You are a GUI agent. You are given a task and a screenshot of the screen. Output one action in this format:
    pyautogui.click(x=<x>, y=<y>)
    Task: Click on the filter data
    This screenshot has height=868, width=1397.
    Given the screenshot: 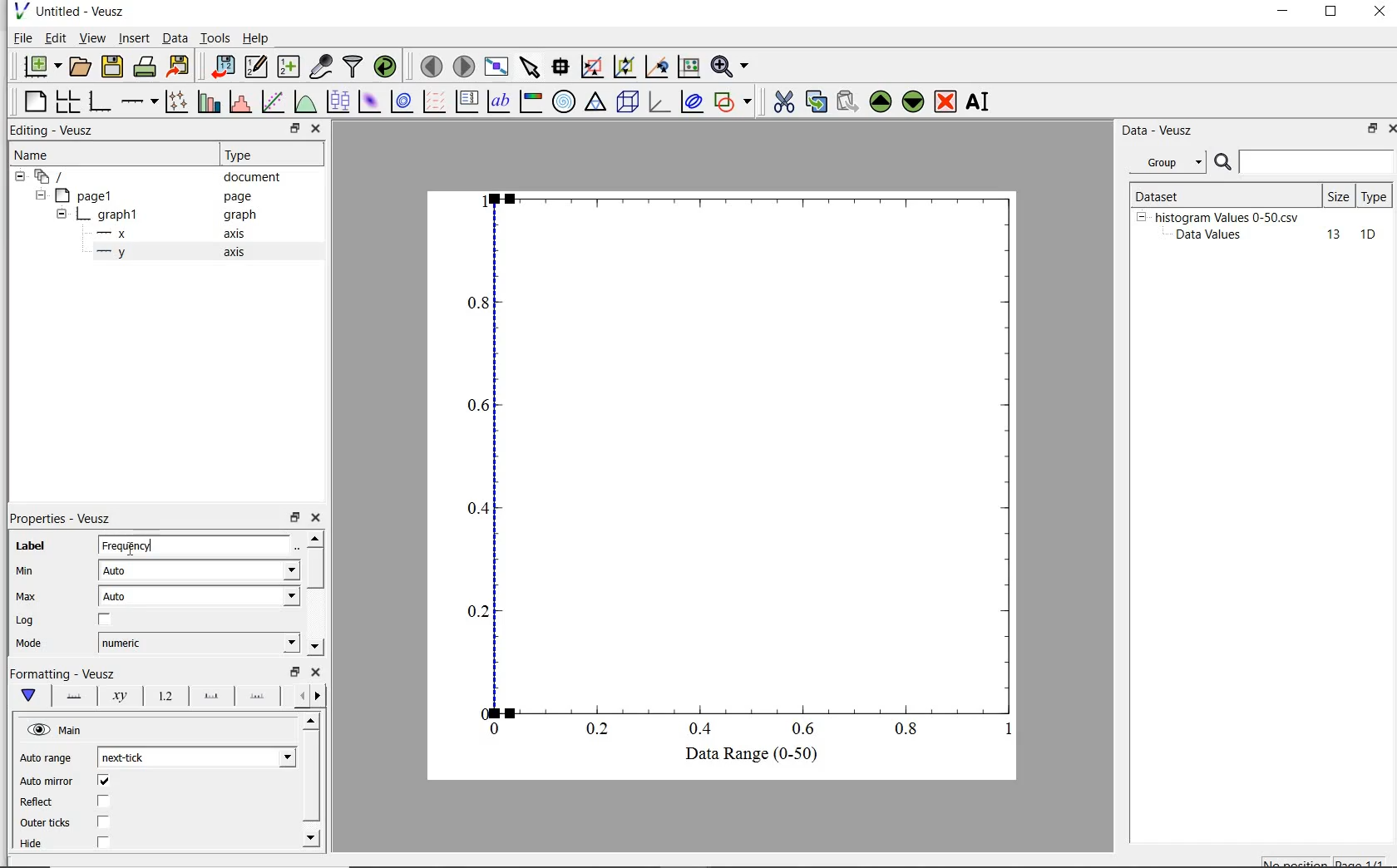 What is the action you would take?
    pyautogui.click(x=353, y=67)
    